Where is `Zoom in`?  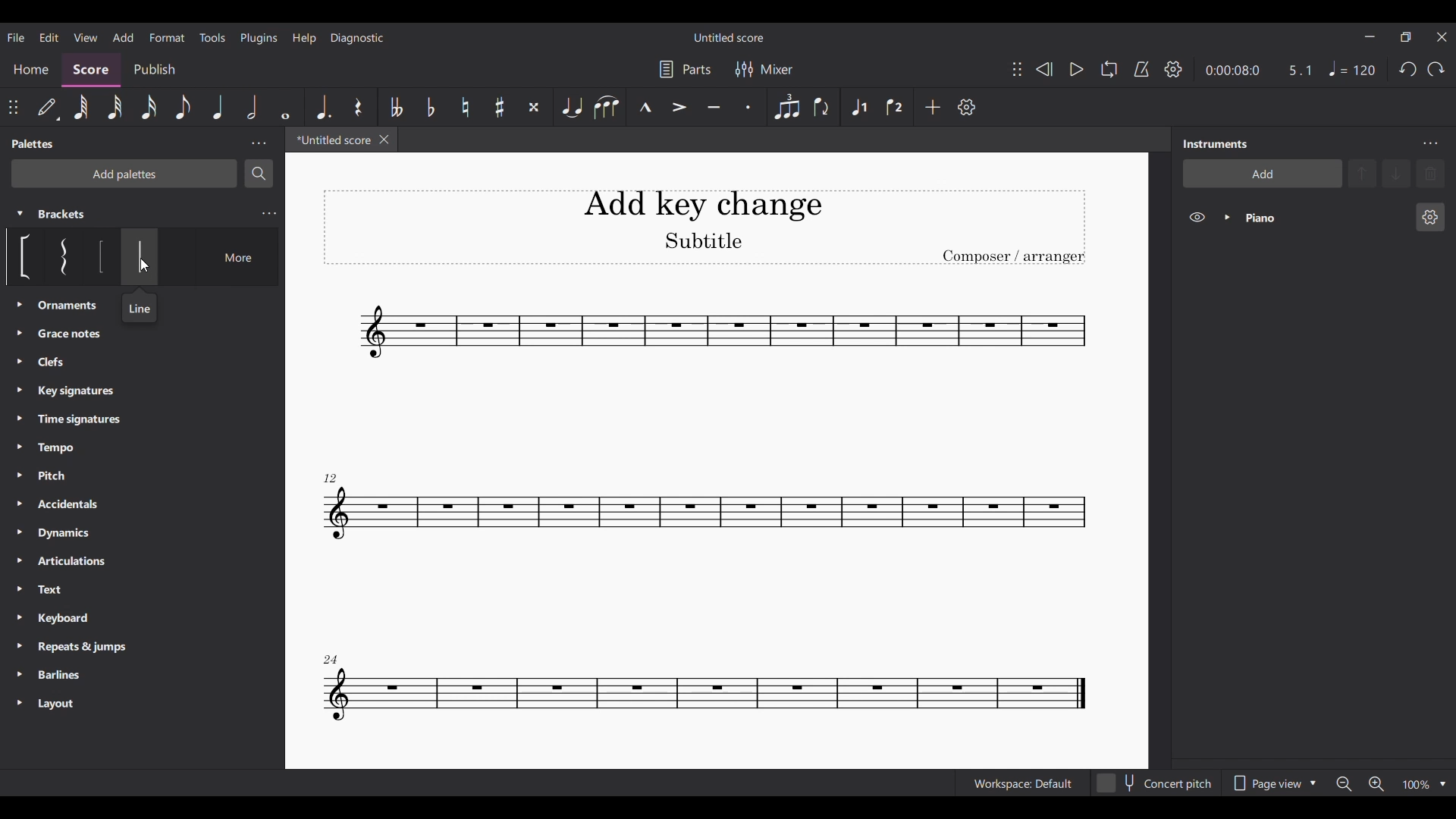 Zoom in is located at coordinates (1376, 784).